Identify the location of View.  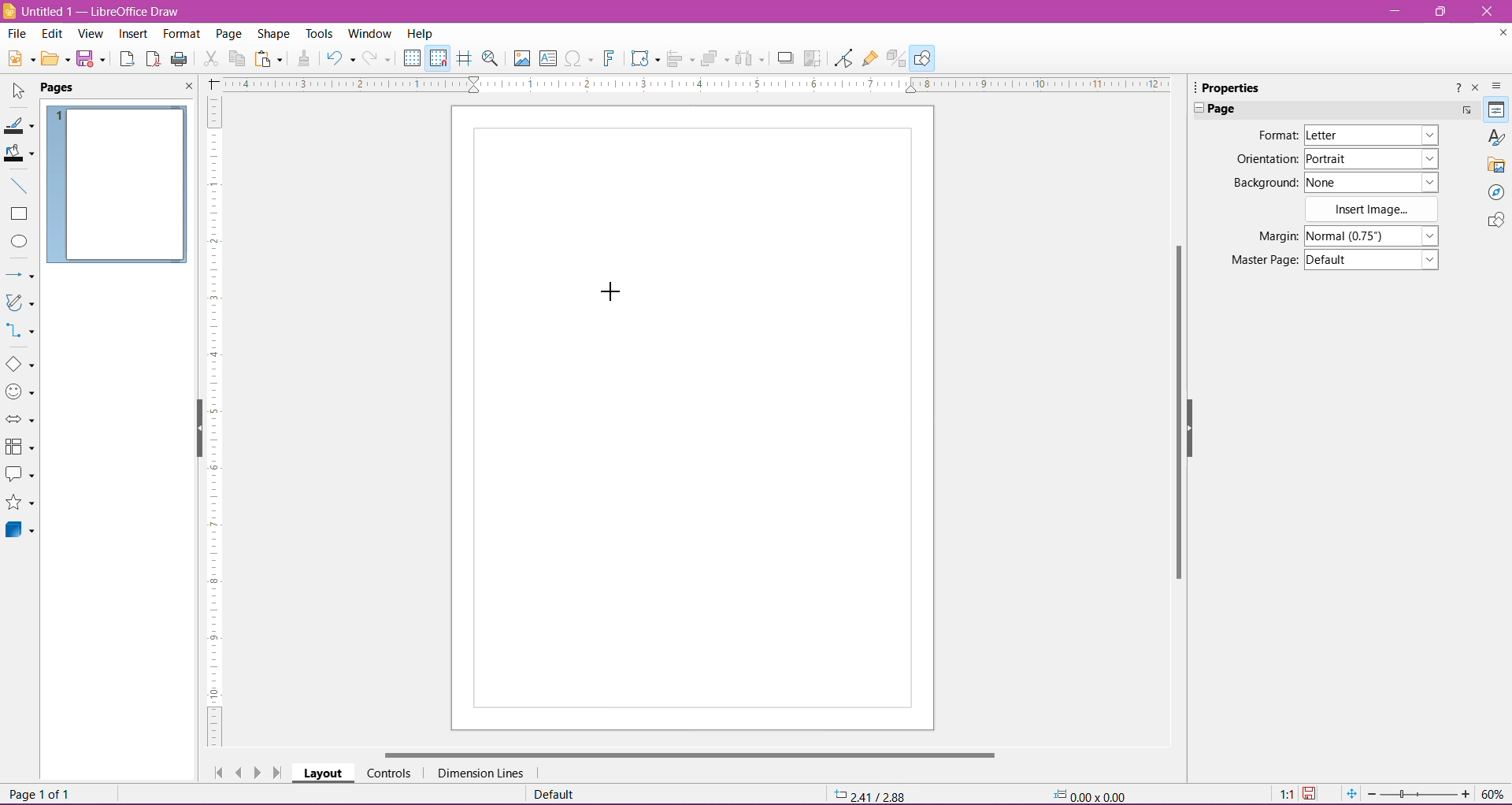
(91, 35).